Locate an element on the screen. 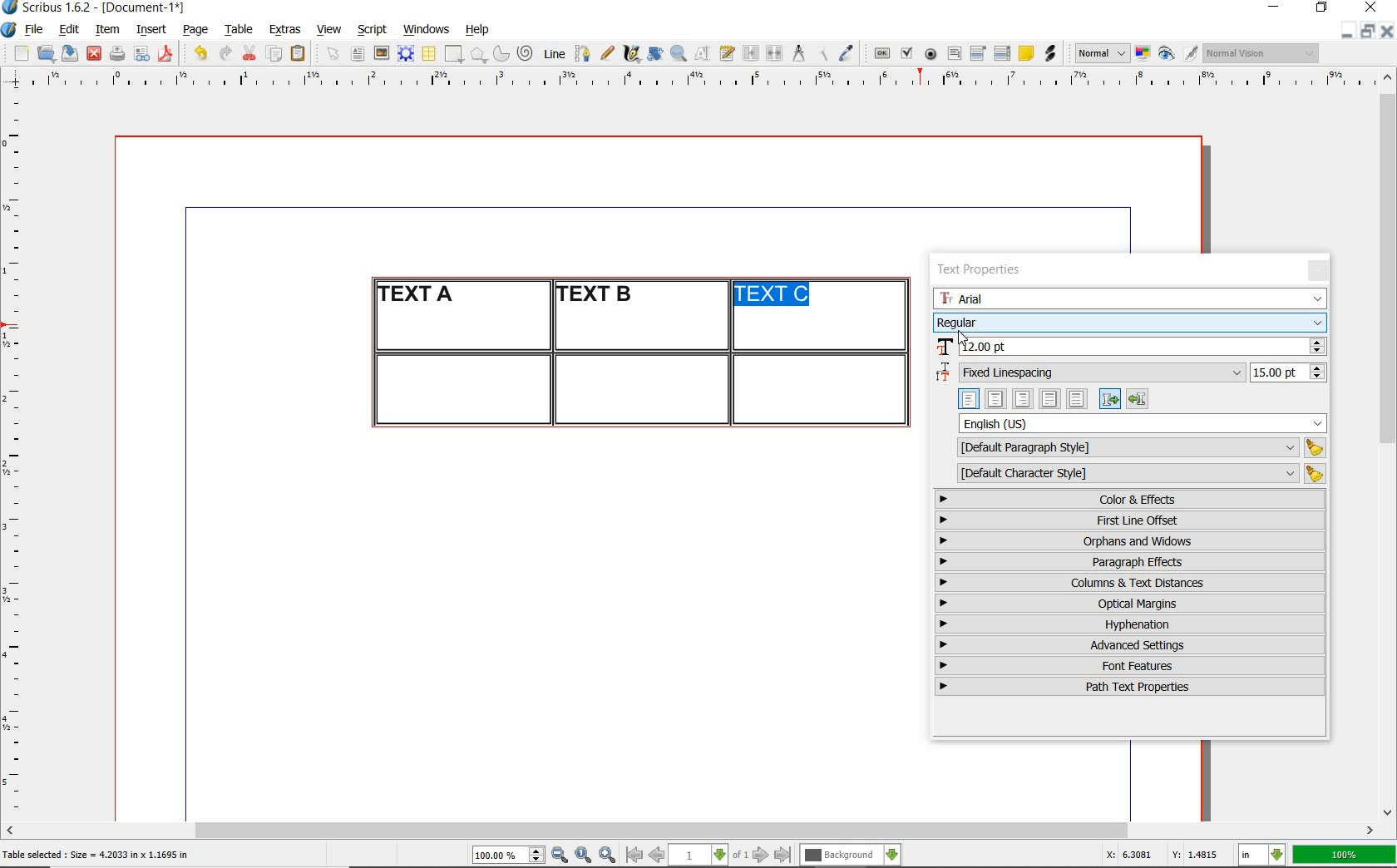  script is located at coordinates (372, 29).